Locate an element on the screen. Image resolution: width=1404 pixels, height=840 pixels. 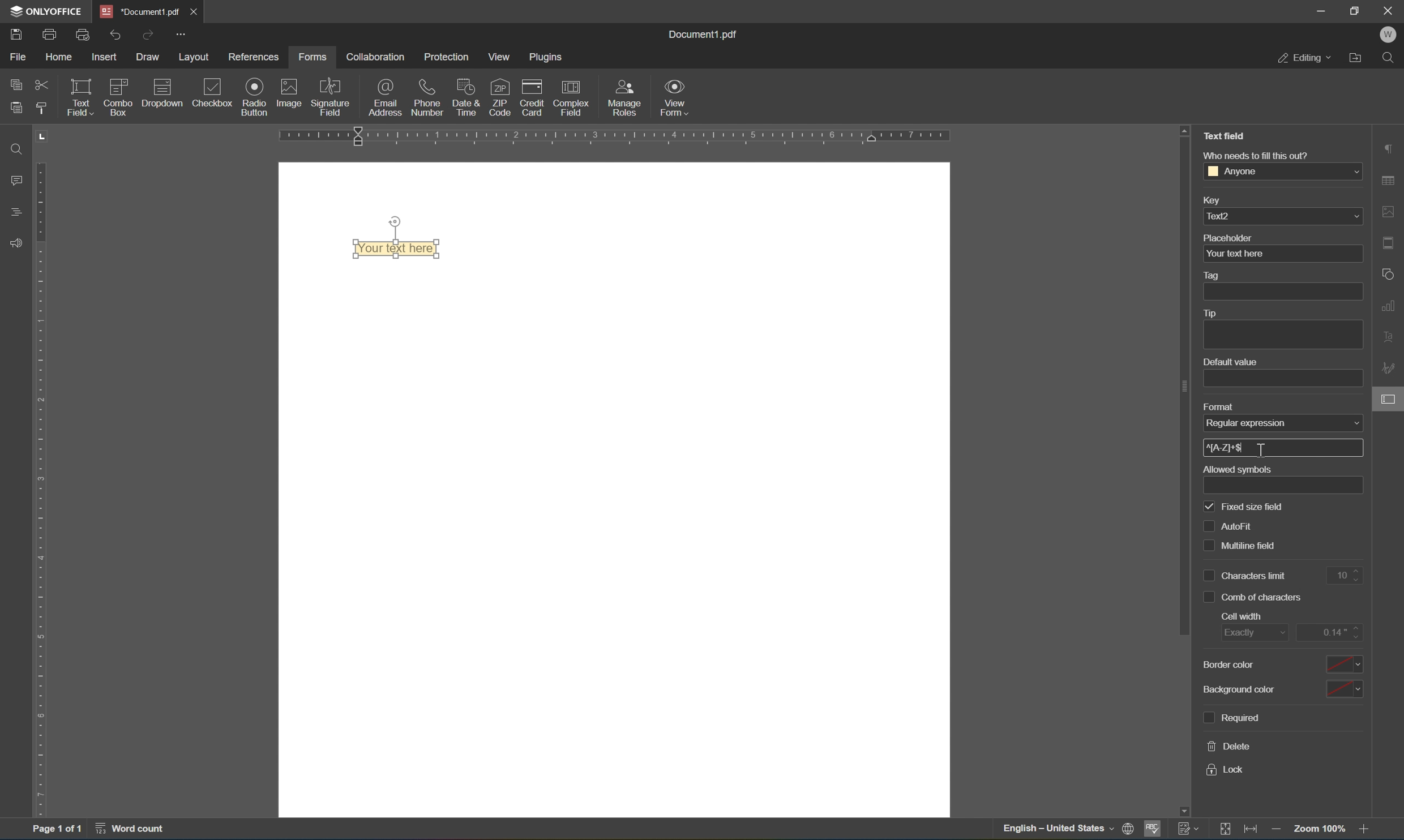
cursor is located at coordinates (1264, 448).